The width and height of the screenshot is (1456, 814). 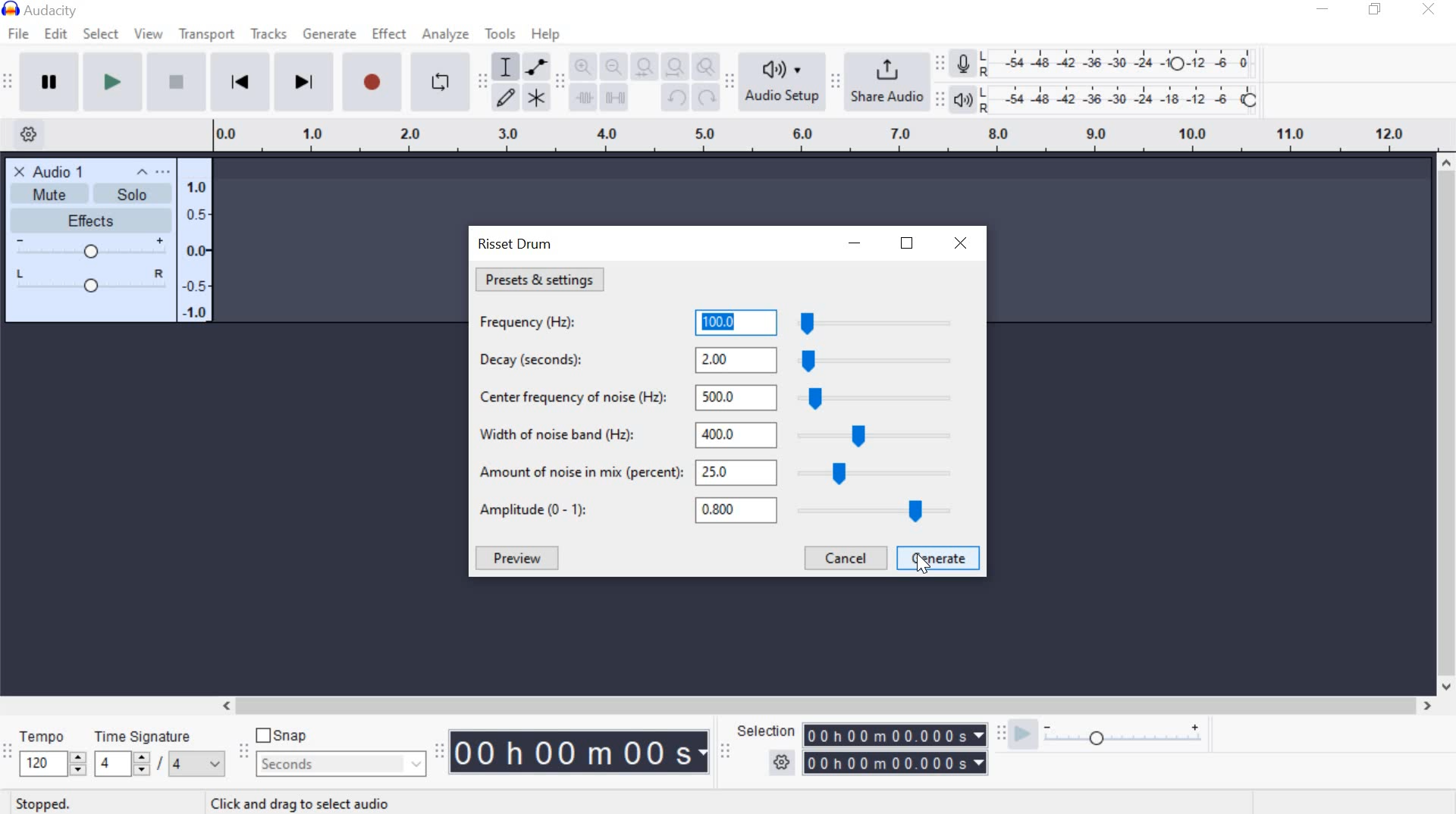 I want to click on Skip to Start, so click(x=240, y=80).